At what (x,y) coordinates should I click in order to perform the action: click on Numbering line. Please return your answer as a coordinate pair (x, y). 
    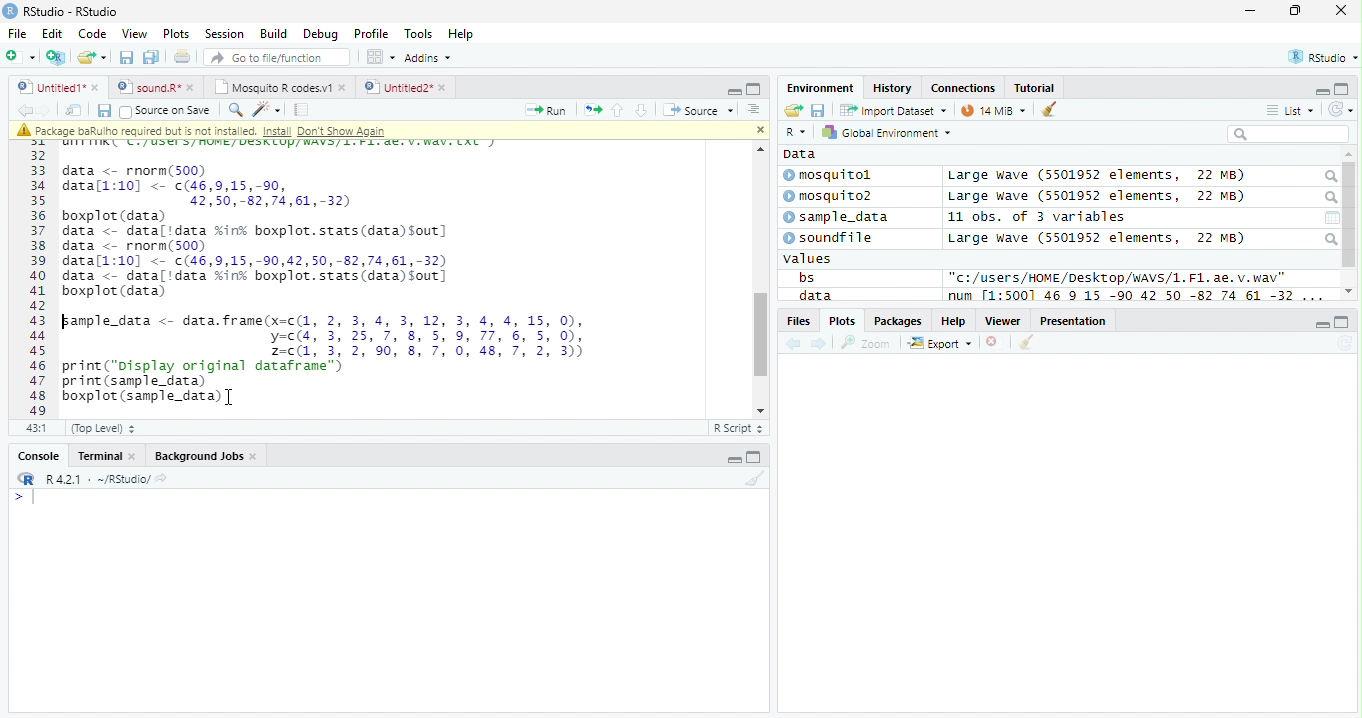
    Looking at the image, I should click on (37, 278).